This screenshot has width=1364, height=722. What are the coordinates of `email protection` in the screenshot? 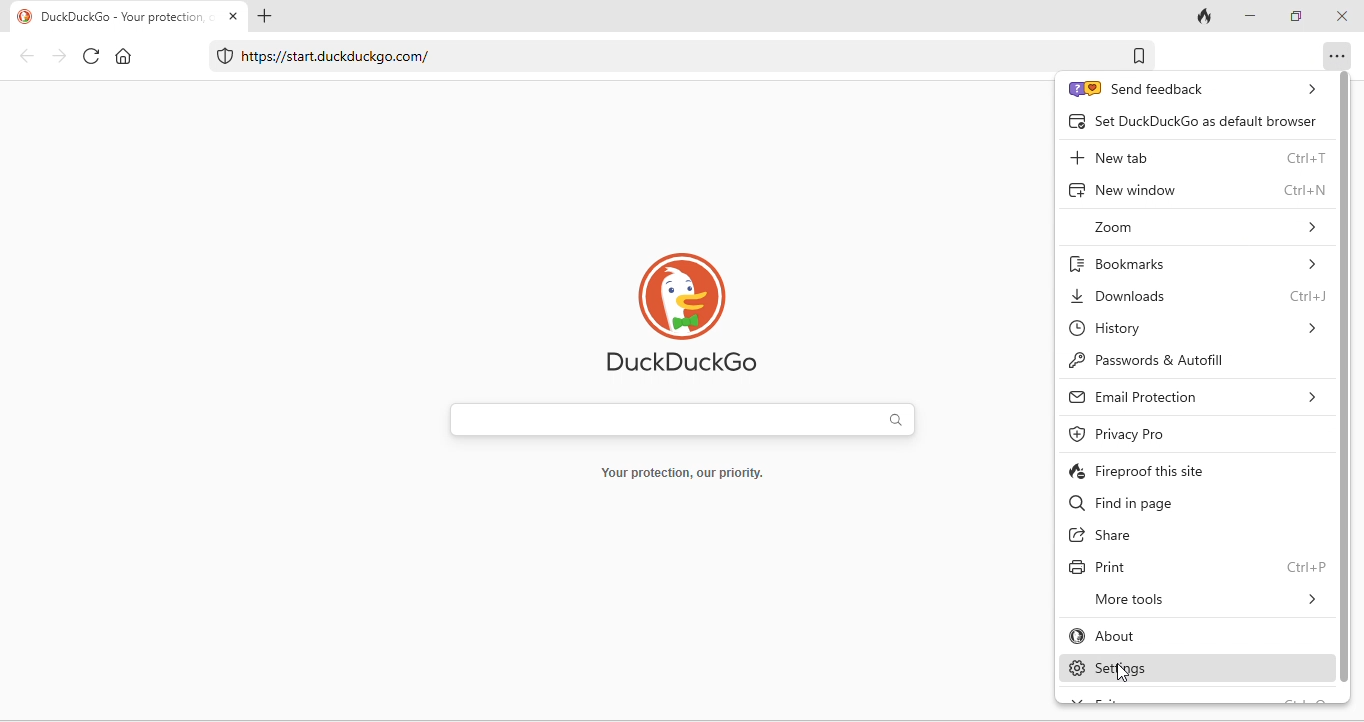 It's located at (1197, 398).